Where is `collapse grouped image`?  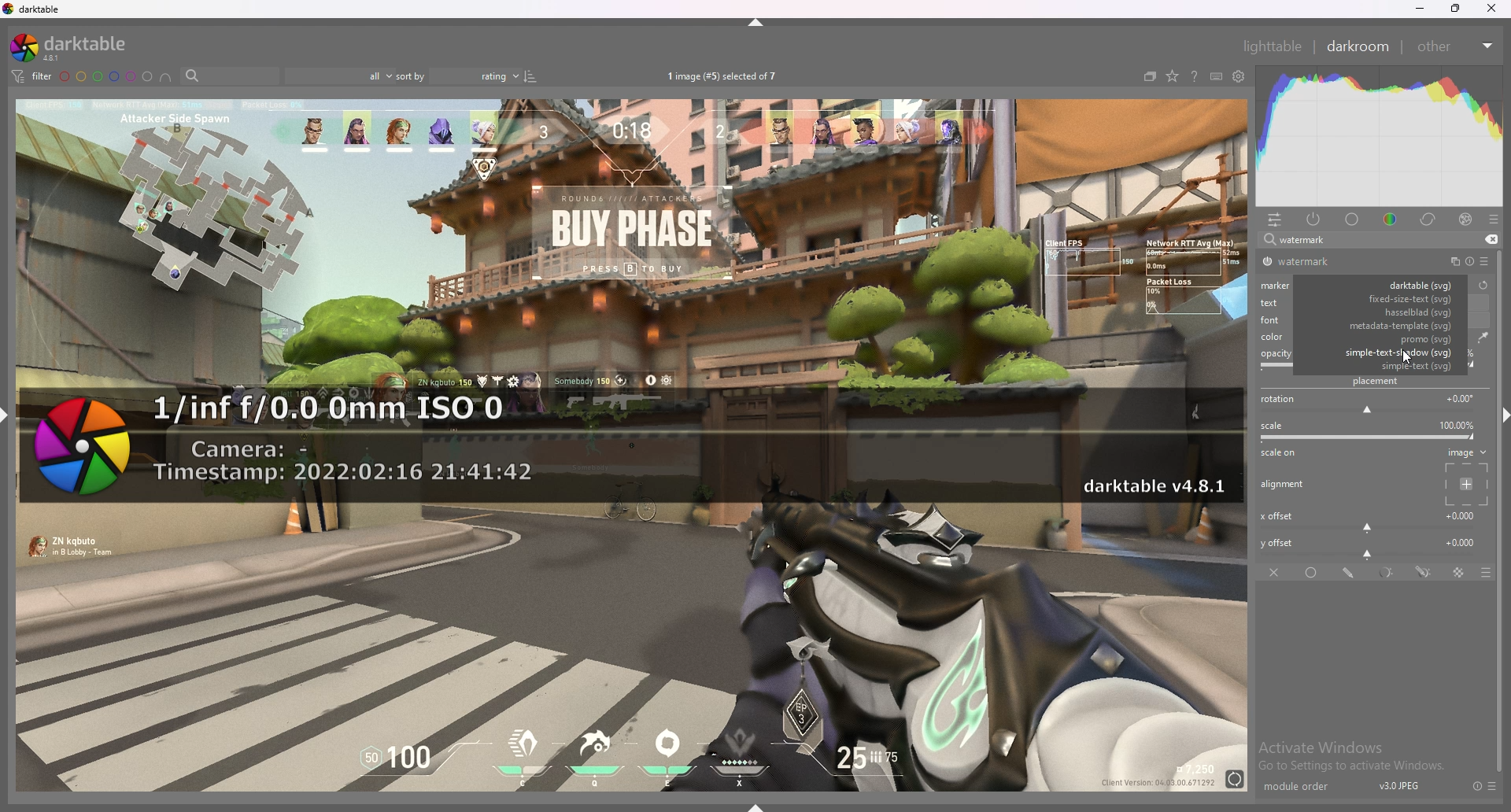 collapse grouped image is located at coordinates (1150, 76).